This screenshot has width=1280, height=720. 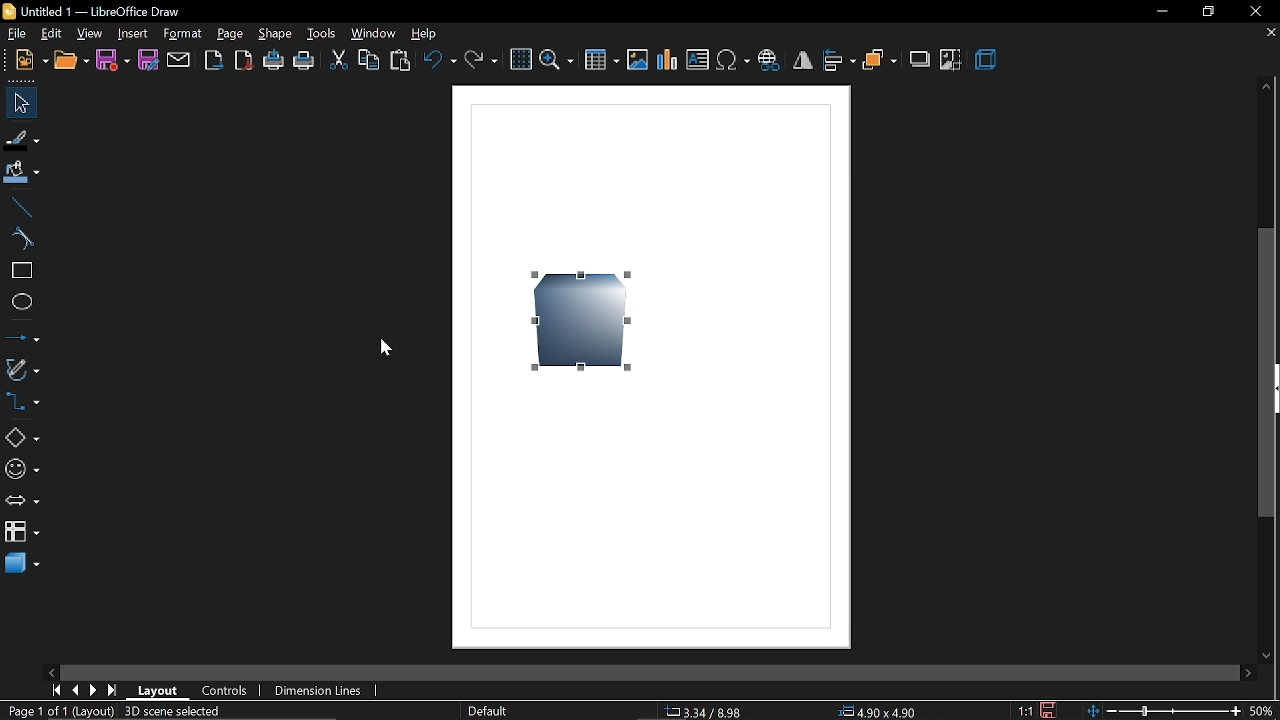 I want to click on Cursor, so click(x=384, y=346).